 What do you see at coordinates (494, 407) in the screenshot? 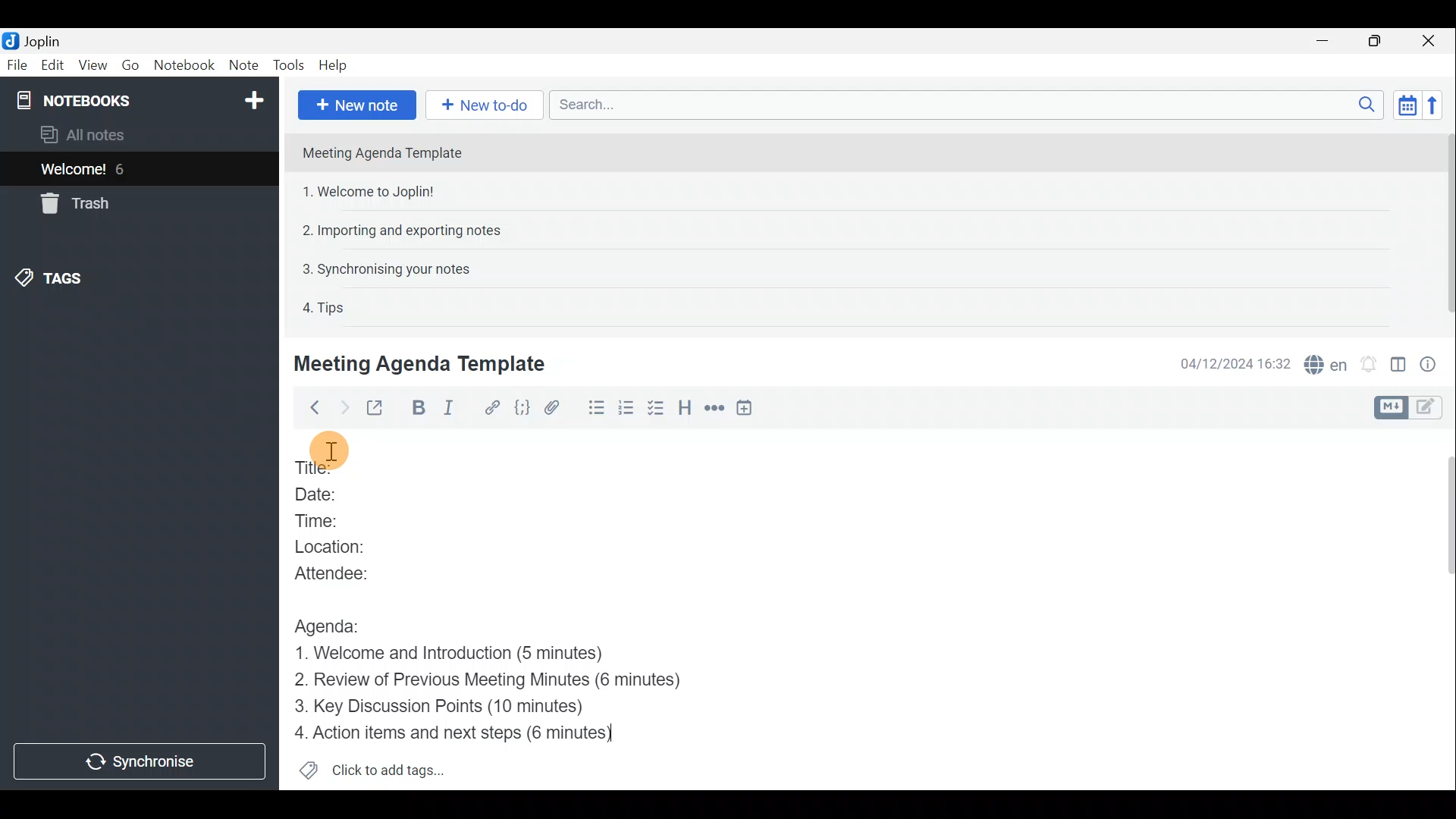
I see `Hyperlink` at bounding box center [494, 407].